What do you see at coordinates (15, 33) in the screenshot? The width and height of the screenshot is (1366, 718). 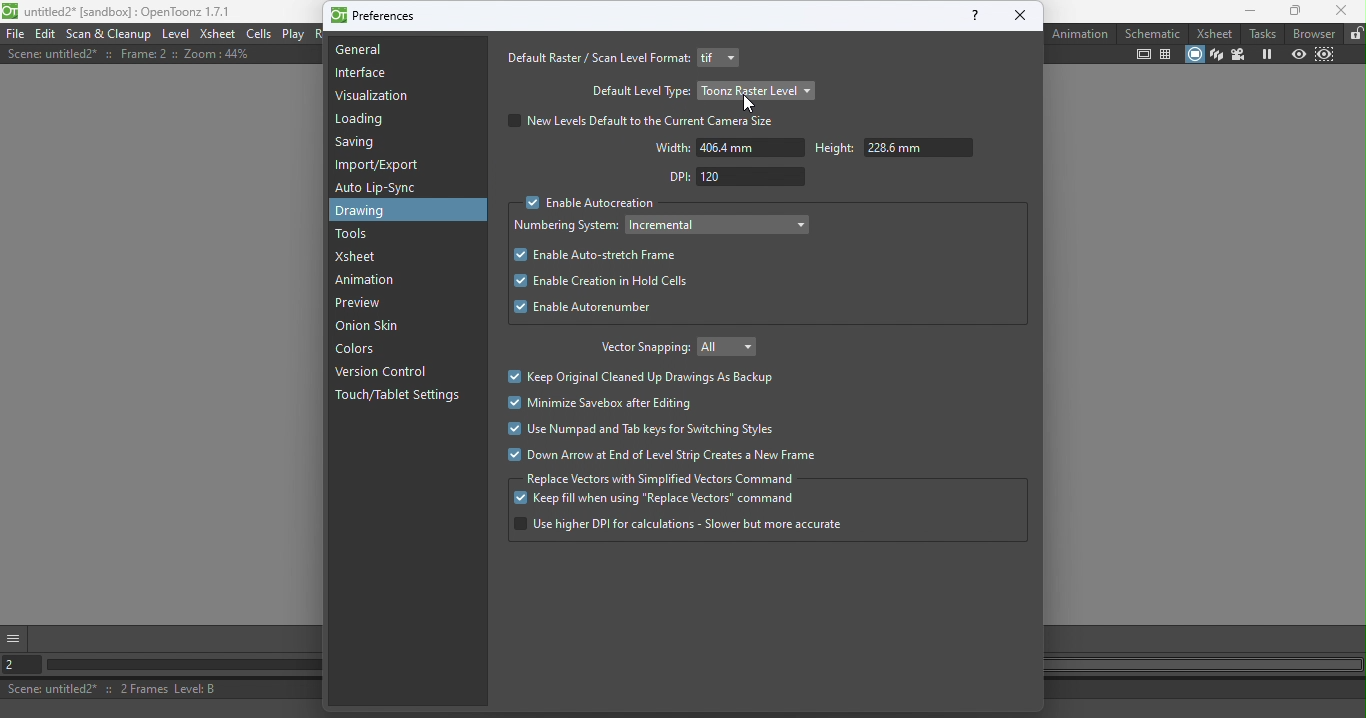 I see `File` at bounding box center [15, 33].